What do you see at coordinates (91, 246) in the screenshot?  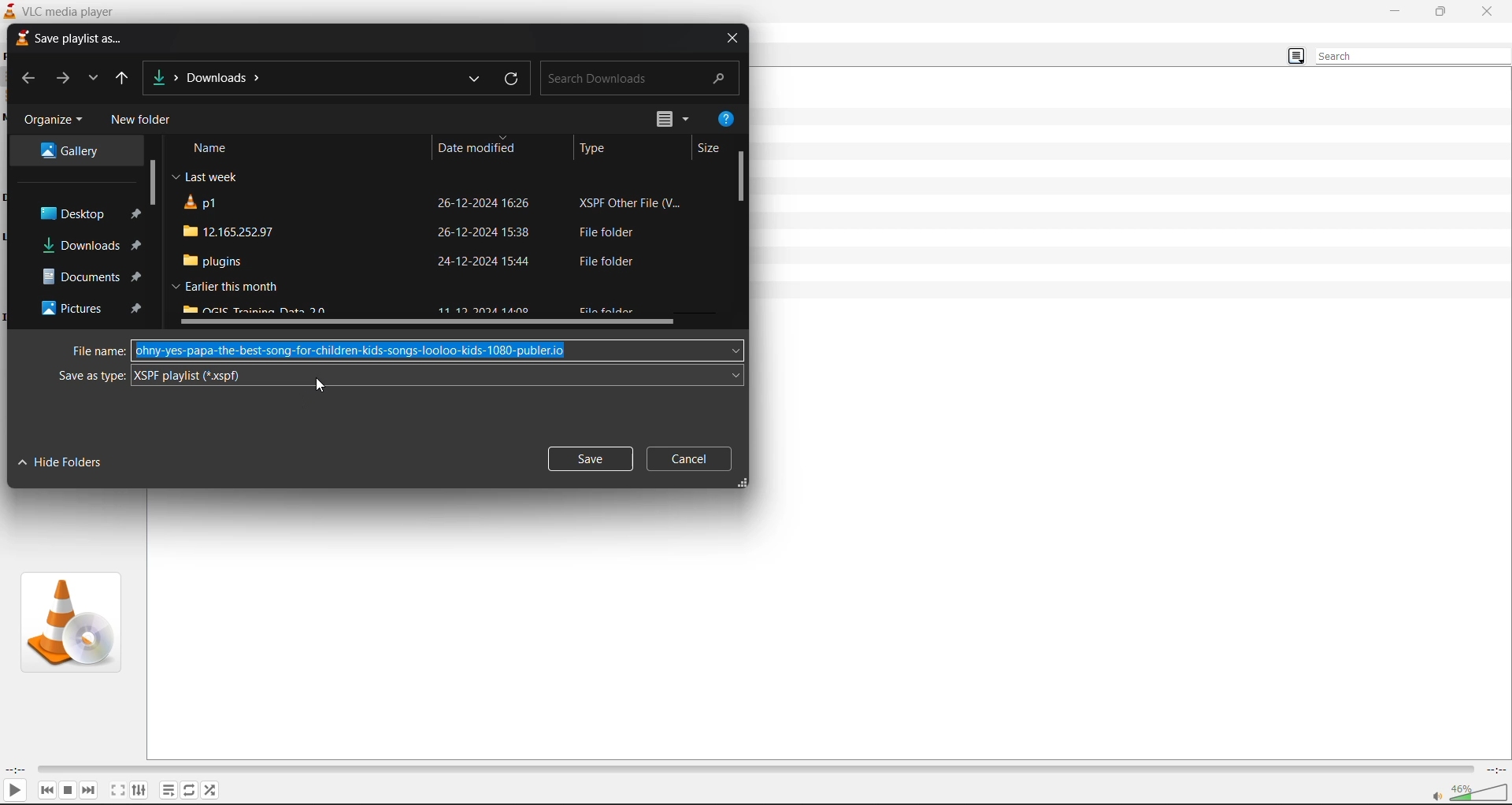 I see `downloads` at bounding box center [91, 246].